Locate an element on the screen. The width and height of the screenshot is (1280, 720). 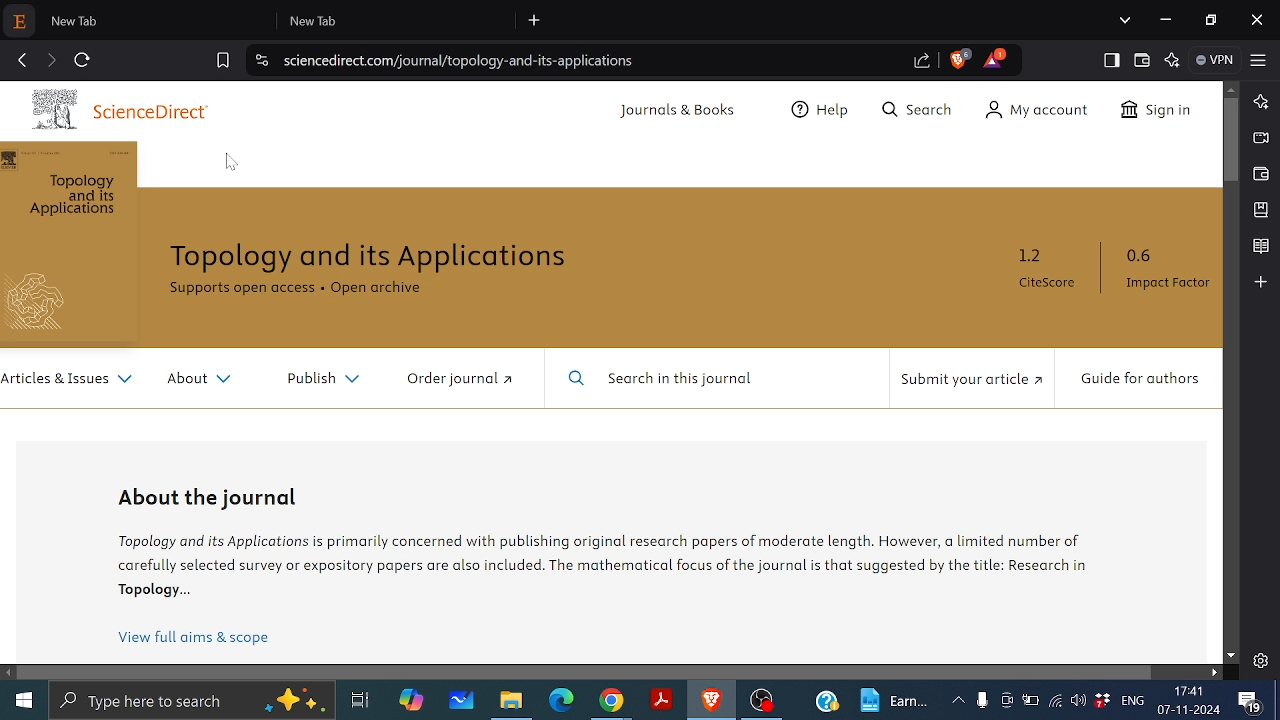
previous is located at coordinates (20, 61).